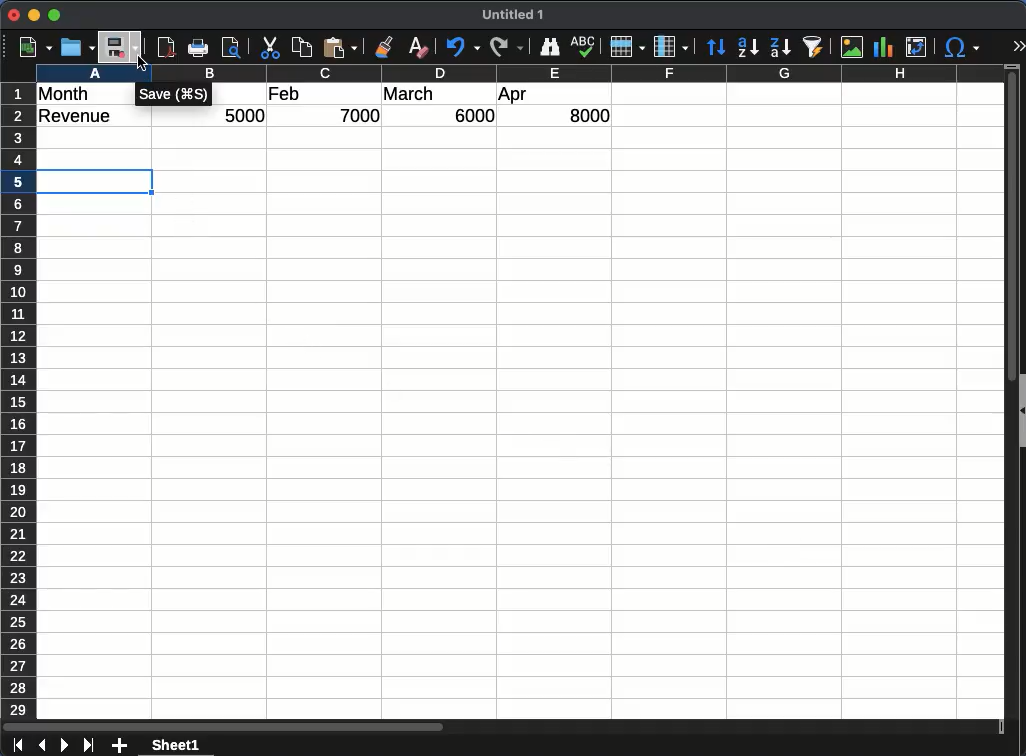 This screenshot has height=756, width=1026. I want to click on ascending, so click(748, 47).